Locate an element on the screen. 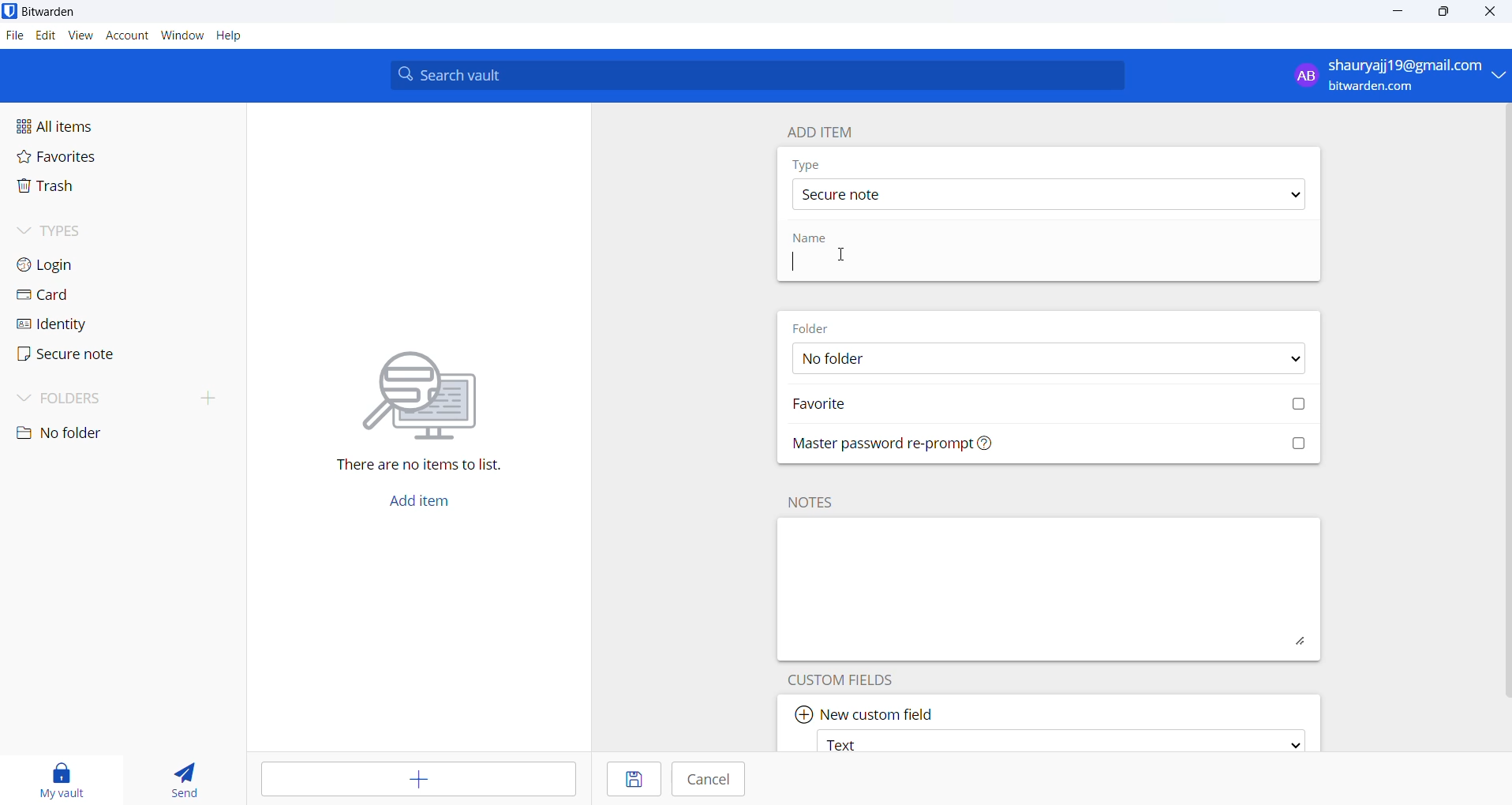 Image resolution: width=1512 pixels, height=805 pixels. add item is located at coordinates (429, 500).